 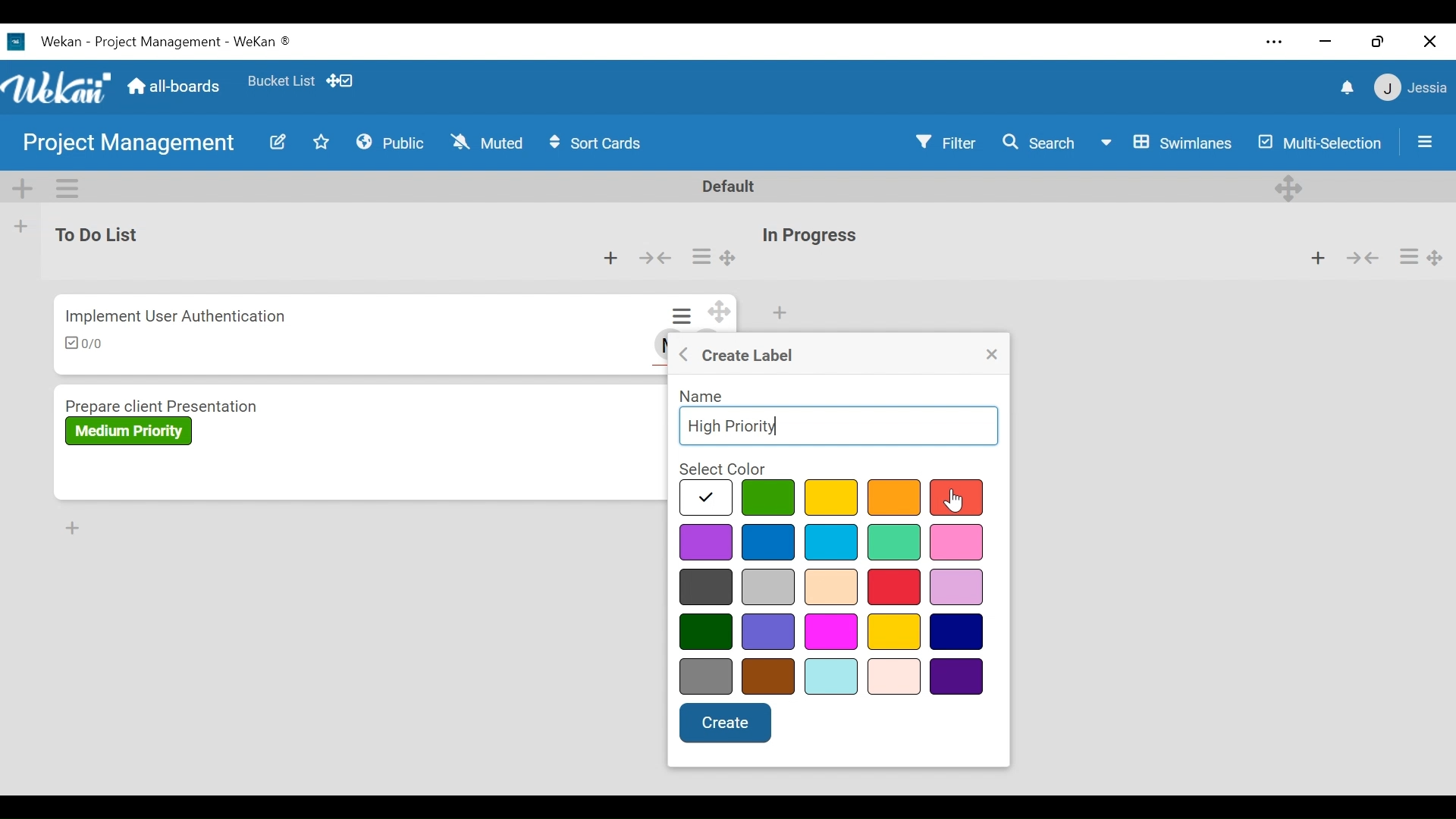 I want to click on Card Title, so click(x=177, y=315).